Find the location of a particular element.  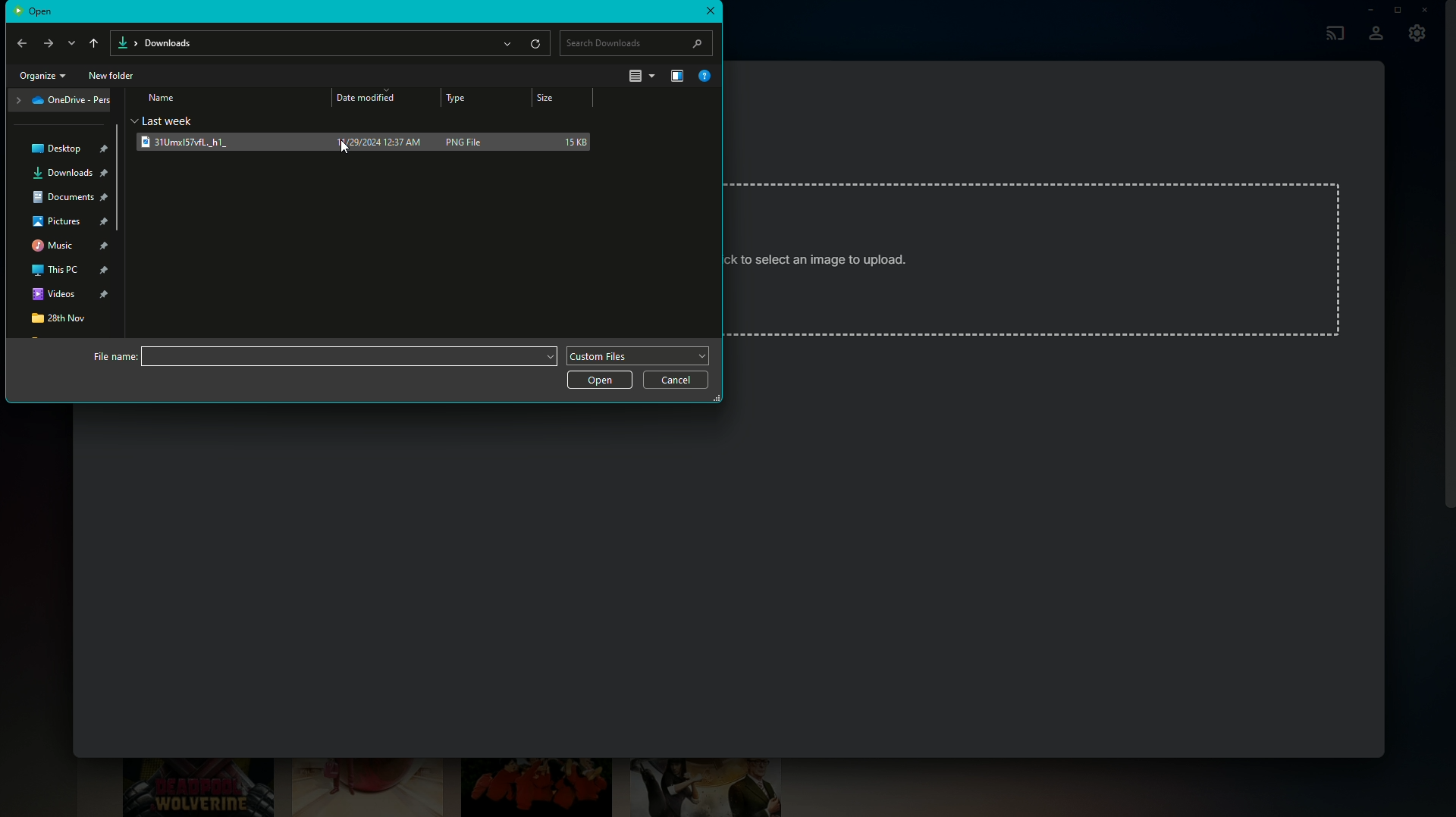

This PC is located at coordinates (71, 271).